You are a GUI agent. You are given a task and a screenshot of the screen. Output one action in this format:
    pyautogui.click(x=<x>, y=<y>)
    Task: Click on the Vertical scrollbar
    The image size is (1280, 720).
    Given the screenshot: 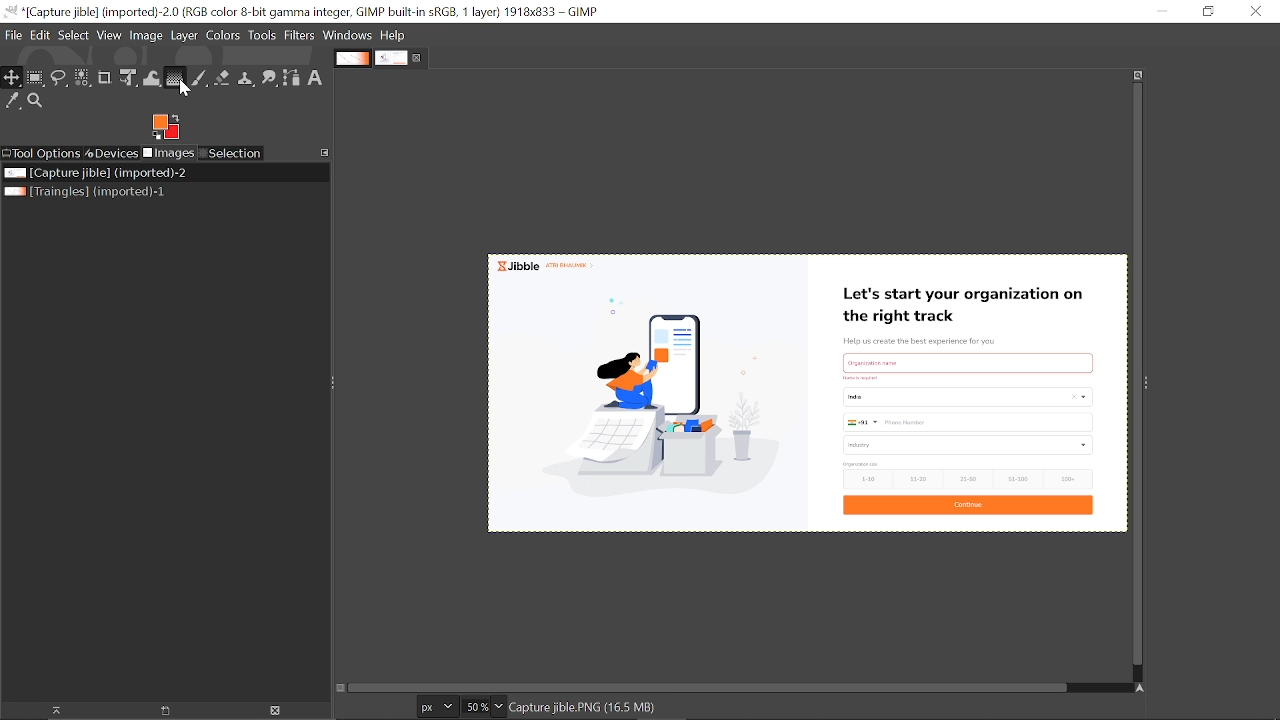 What is the action you would take?
    pyautogui.click(x=1134, y=372)
    